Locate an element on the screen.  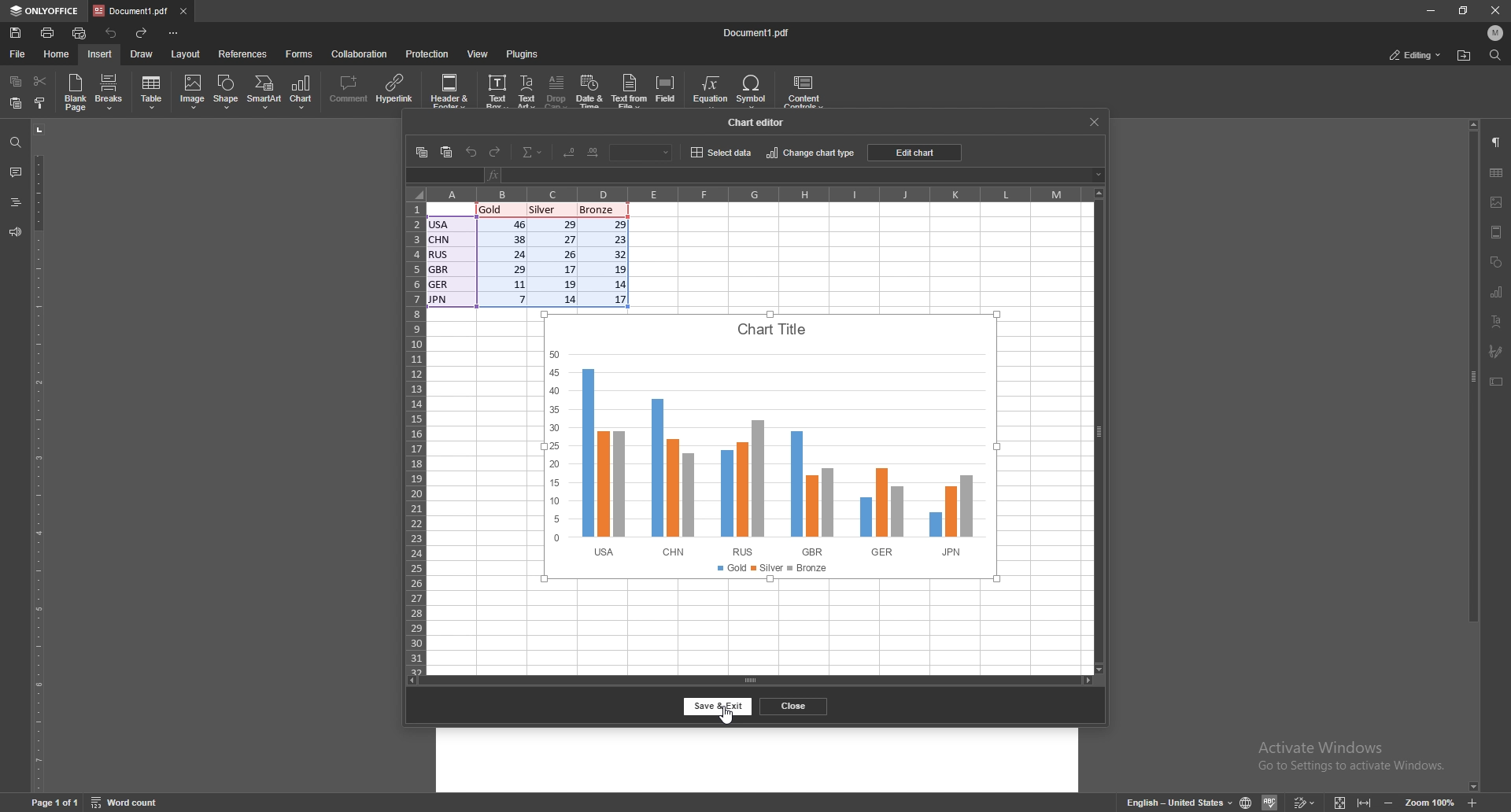
table is located at coordinates (151, 93).